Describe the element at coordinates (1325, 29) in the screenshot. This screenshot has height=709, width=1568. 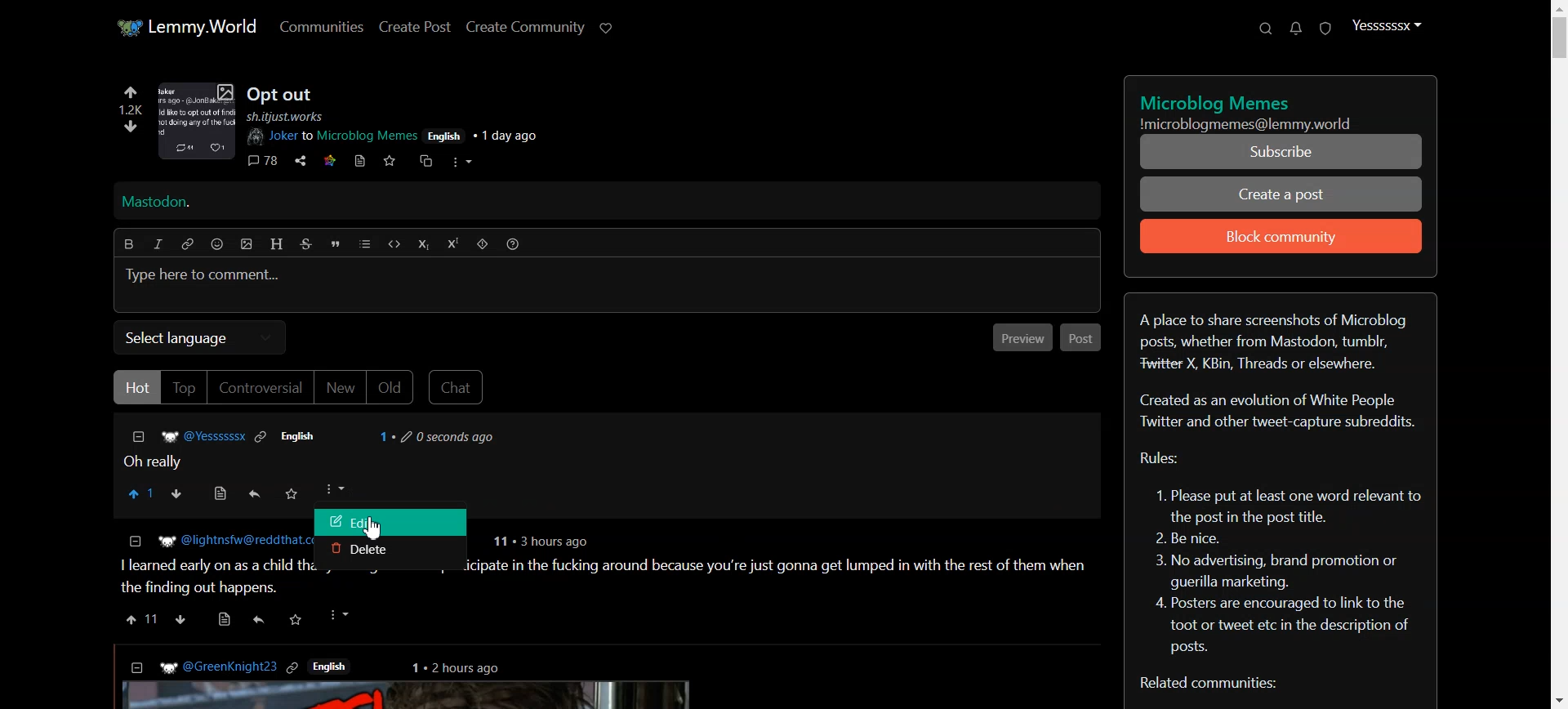
I see `Unread report` at that location.